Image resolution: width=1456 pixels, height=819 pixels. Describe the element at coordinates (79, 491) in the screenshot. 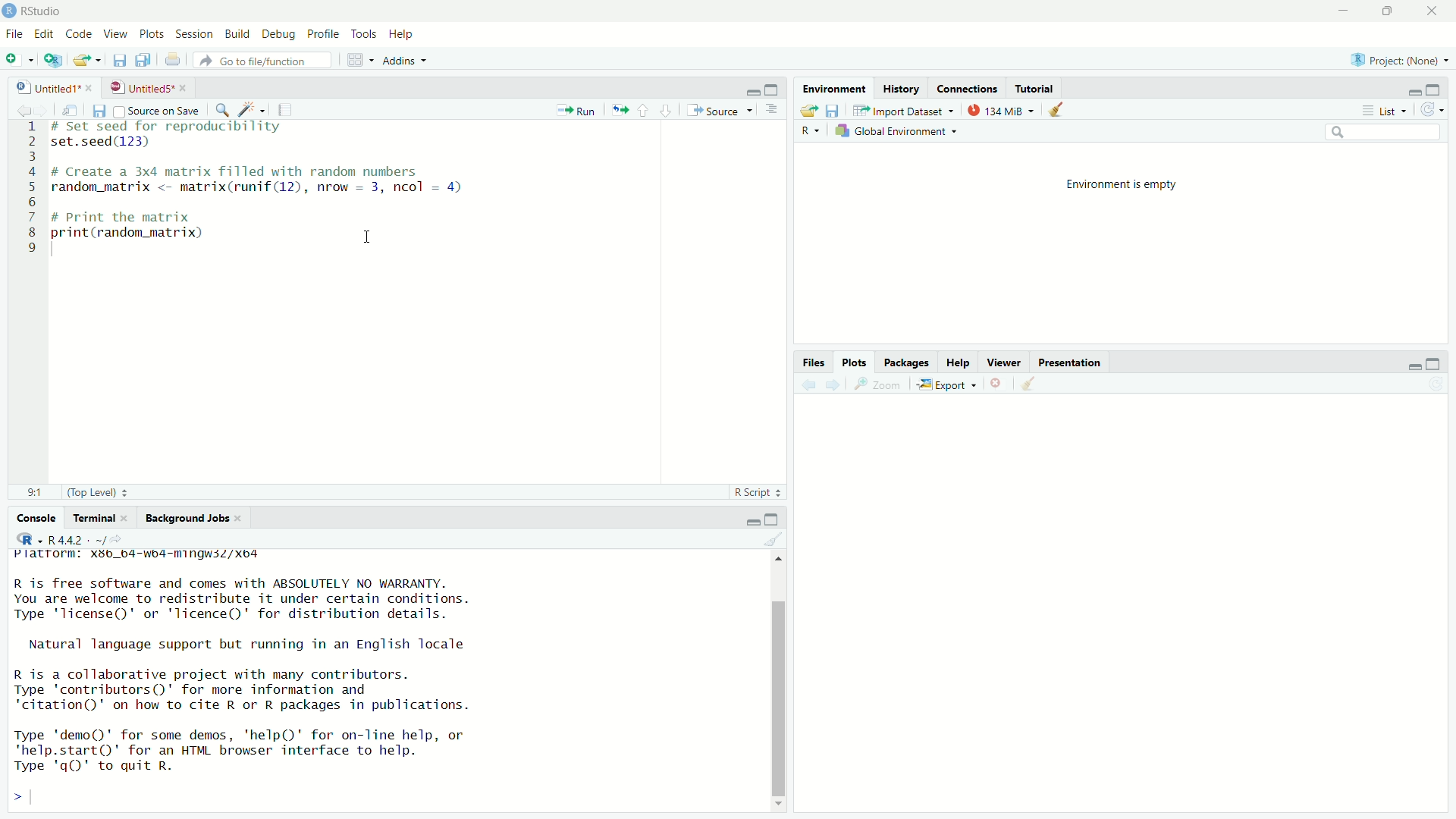

I see `91 (Top Level) =` at that location.